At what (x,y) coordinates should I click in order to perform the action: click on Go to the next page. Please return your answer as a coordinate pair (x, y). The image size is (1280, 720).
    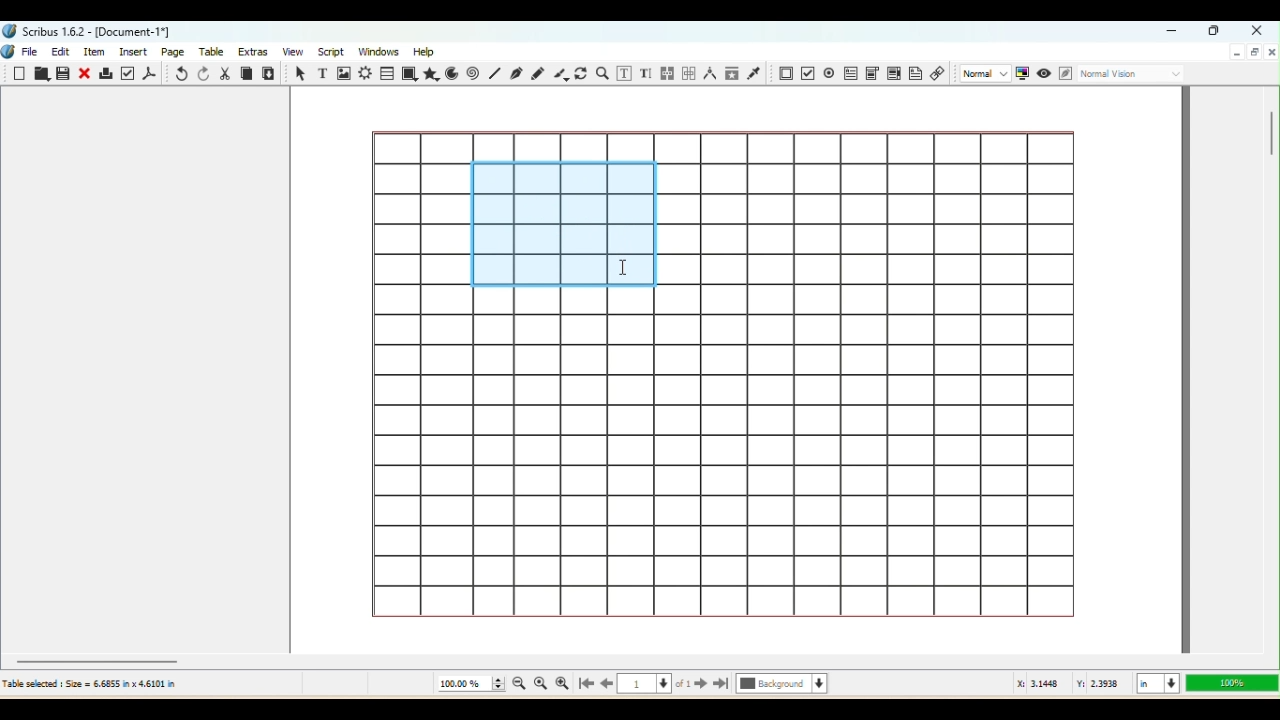
    Looking at the image, I should click on (701, 685).